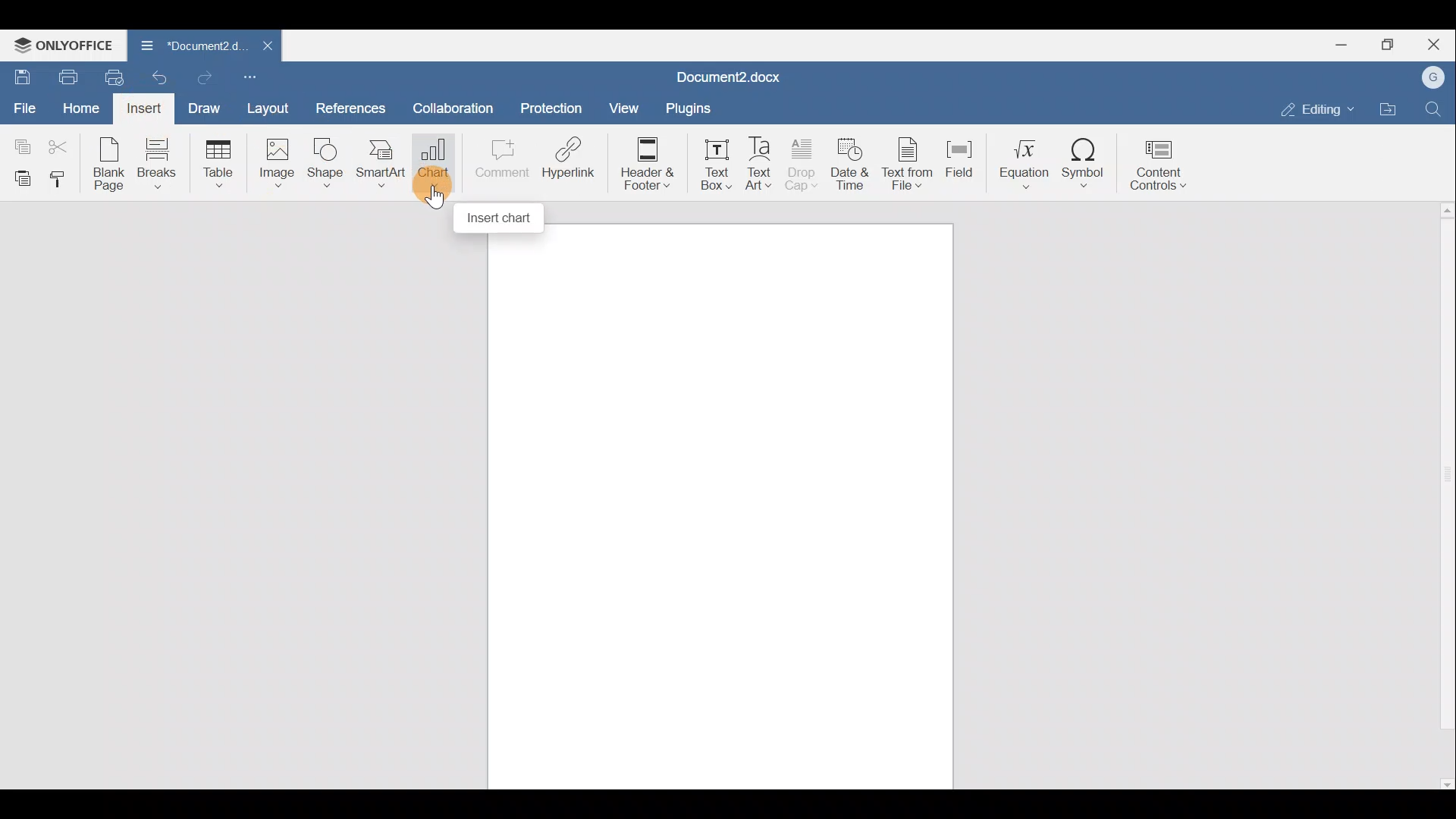  Describe the element at coordinates (210, 79) in the screenshot. I see `Redo` at that location.